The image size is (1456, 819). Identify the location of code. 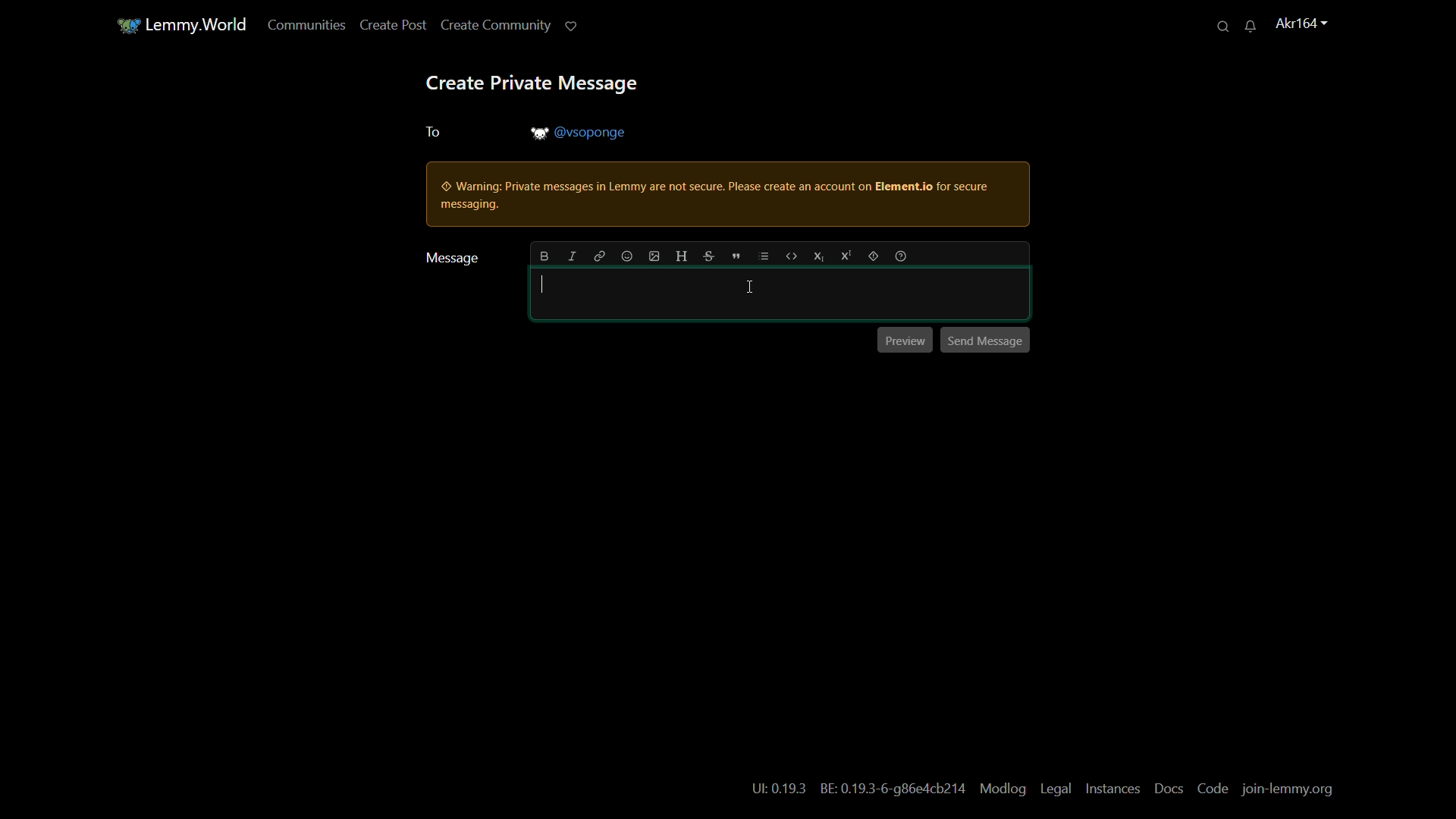
(790, 255).